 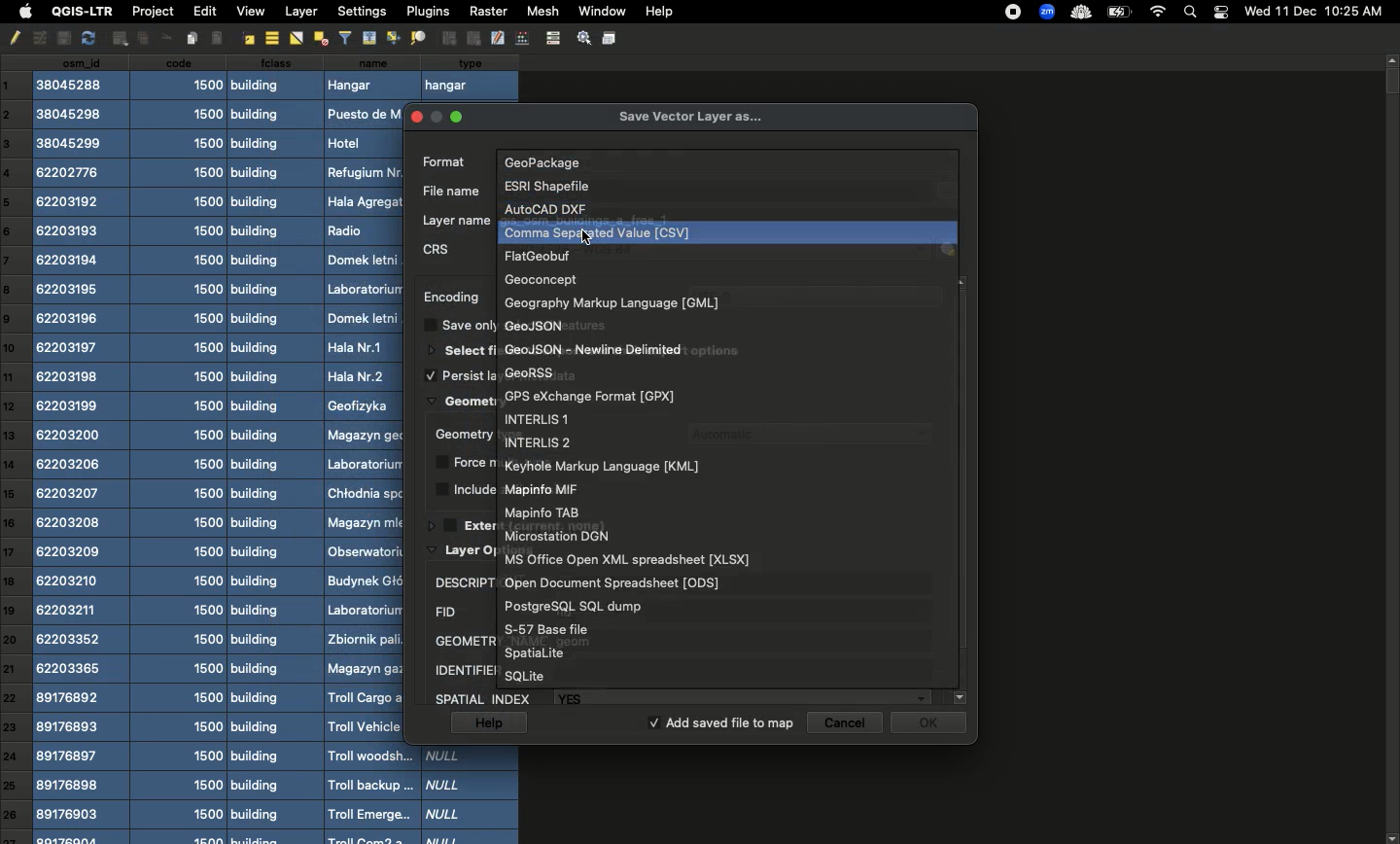 What do you see at coordinates (560, 535) in the screenshot?
I see `FormatFormat` at bounding box center [560, 535].